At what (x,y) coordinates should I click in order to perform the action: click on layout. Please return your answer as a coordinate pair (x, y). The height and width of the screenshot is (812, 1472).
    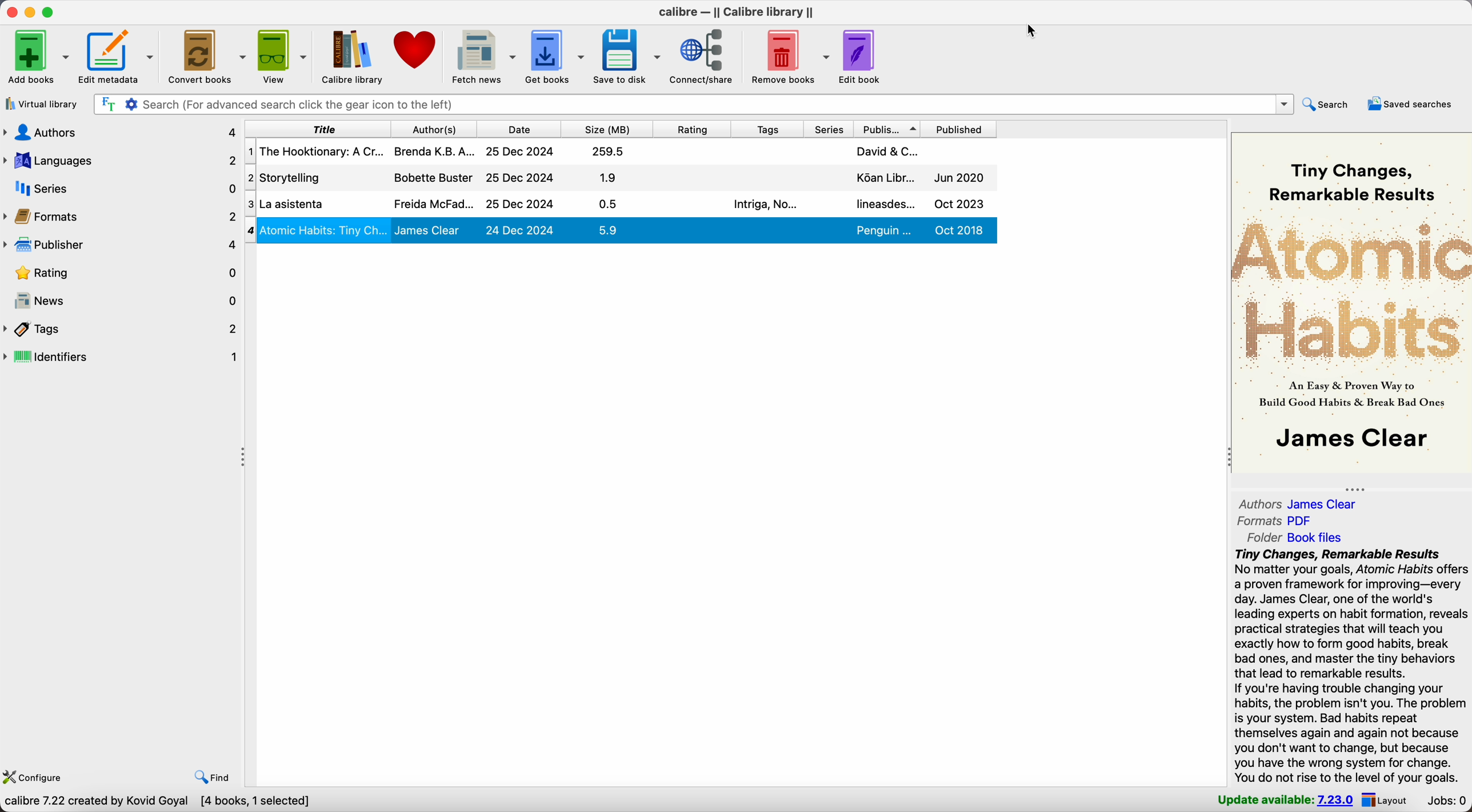
    Looking at the image, I should click on (1387, 800).